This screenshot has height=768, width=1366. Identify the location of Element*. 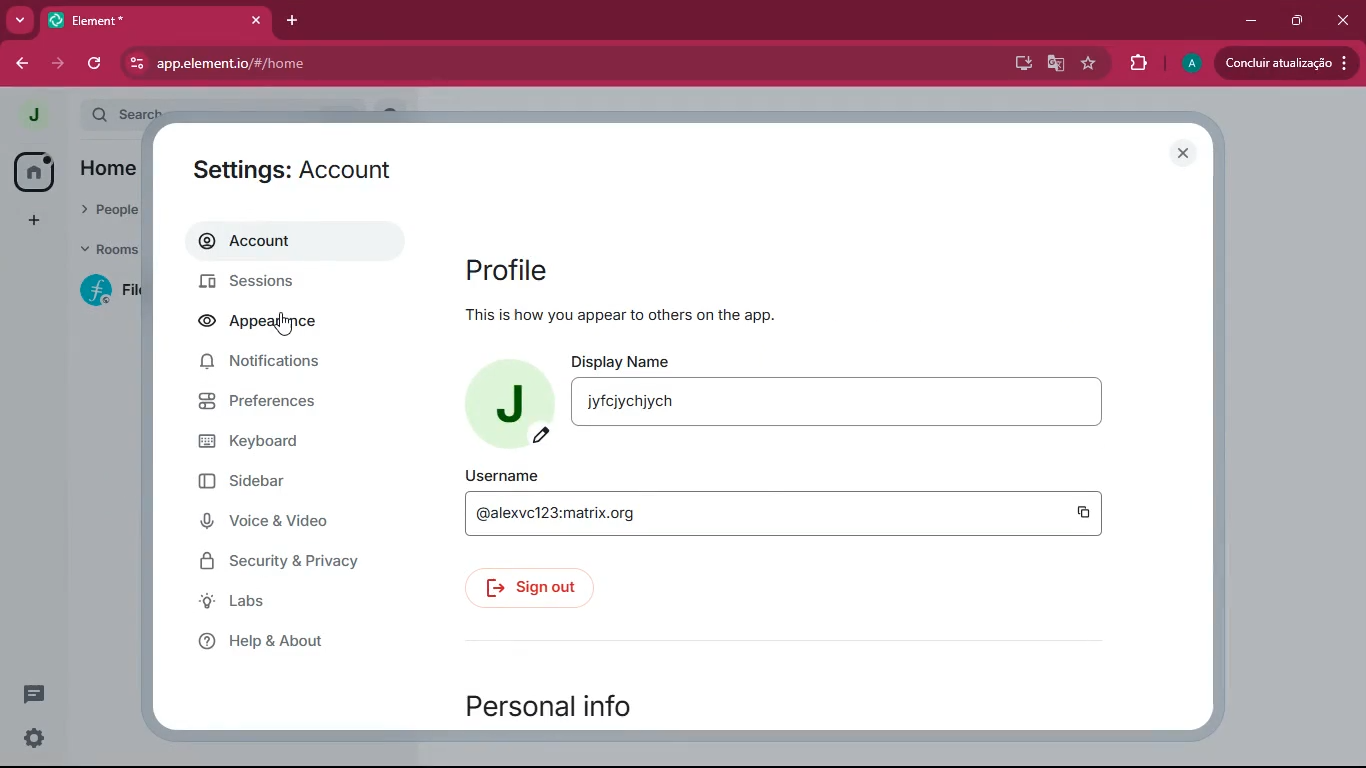
(139, 21).